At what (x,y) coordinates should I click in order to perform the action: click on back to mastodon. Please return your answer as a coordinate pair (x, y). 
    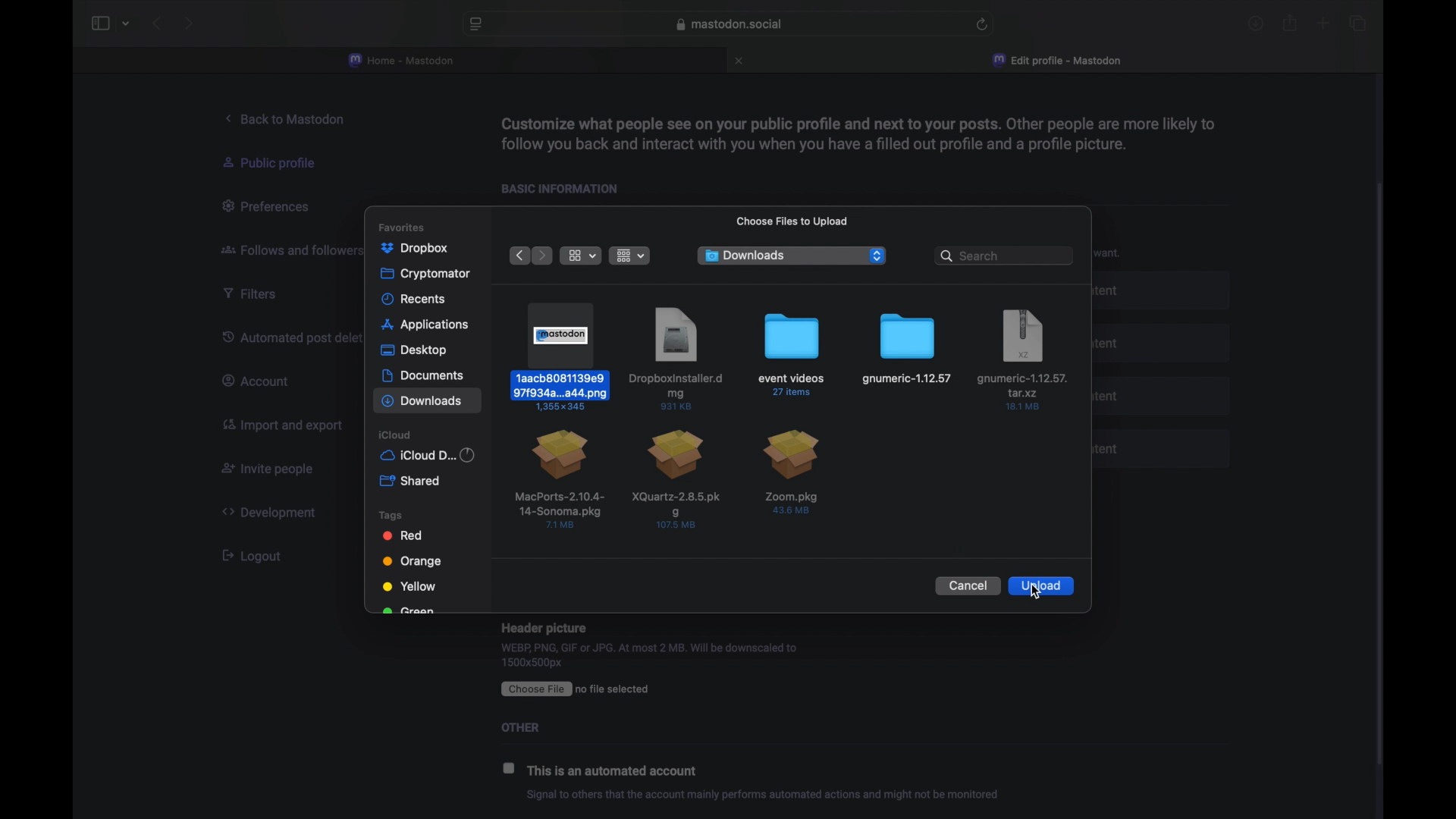
    Looking at the image, I should click on (289, 119).